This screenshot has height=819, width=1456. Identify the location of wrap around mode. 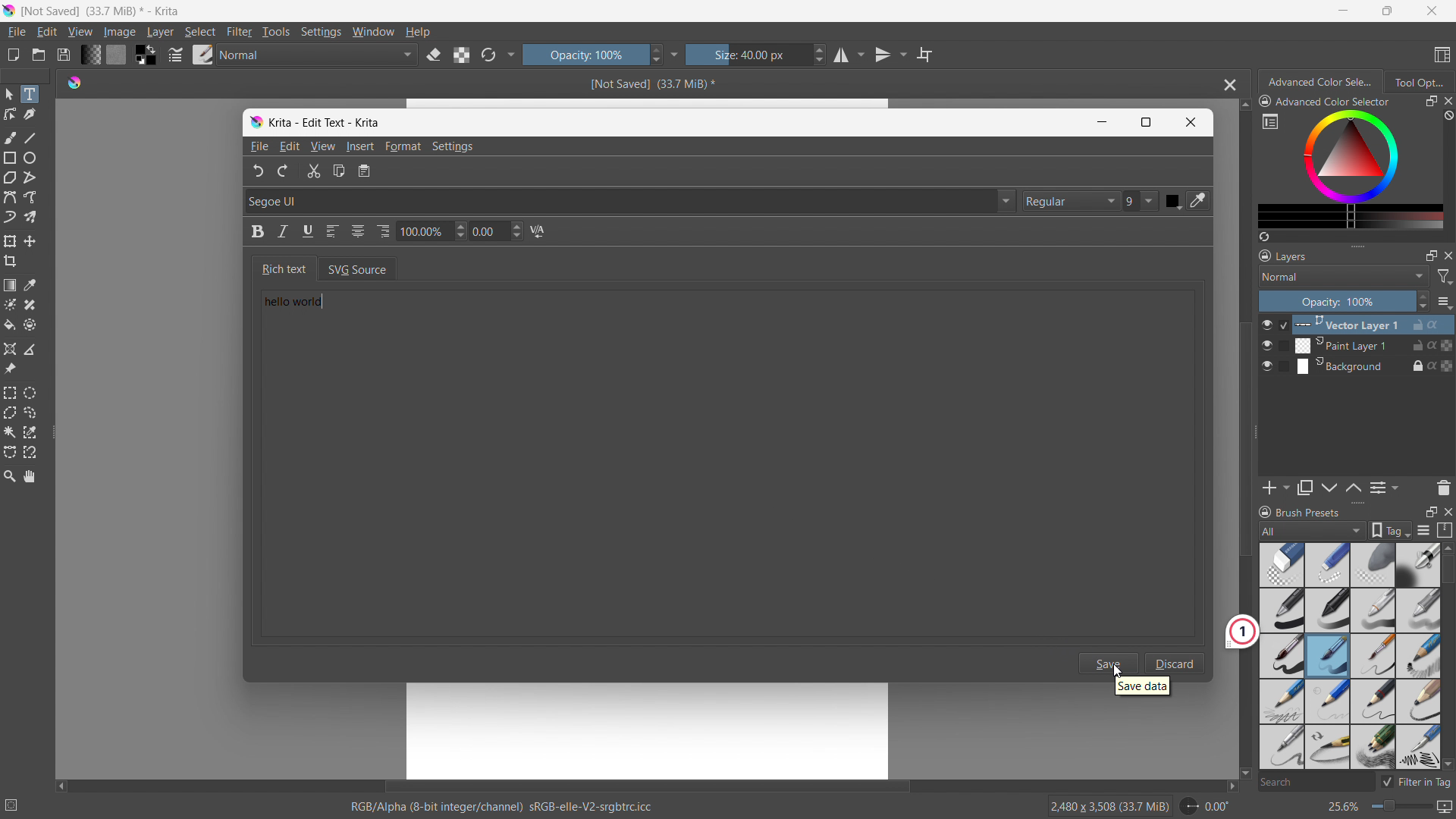
(925, 54).